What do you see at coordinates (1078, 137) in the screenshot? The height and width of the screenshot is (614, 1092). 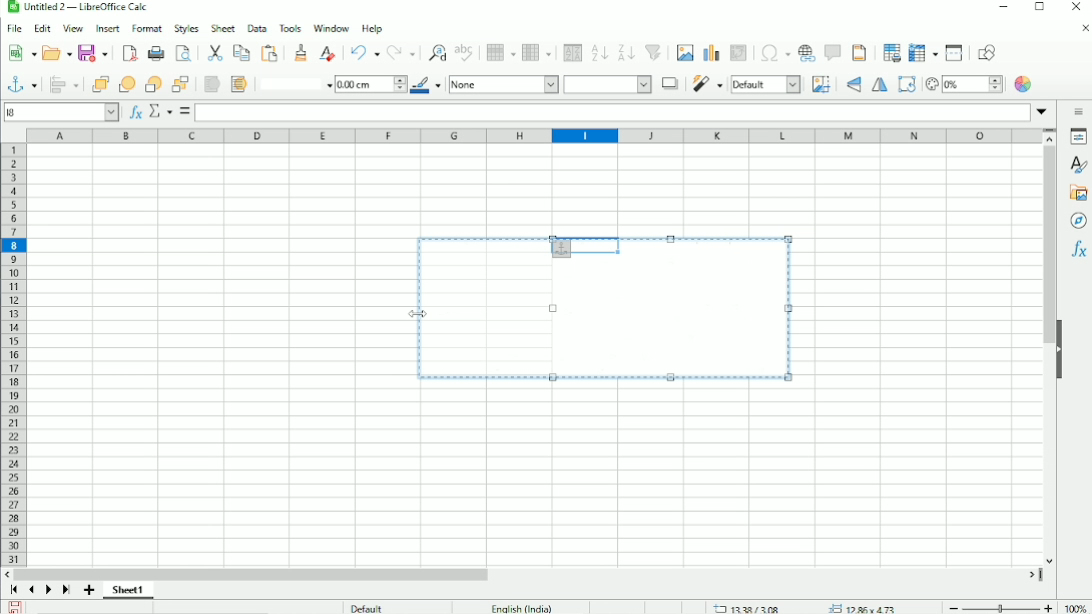 I see `Properties` at bounding box center [1078, 137].